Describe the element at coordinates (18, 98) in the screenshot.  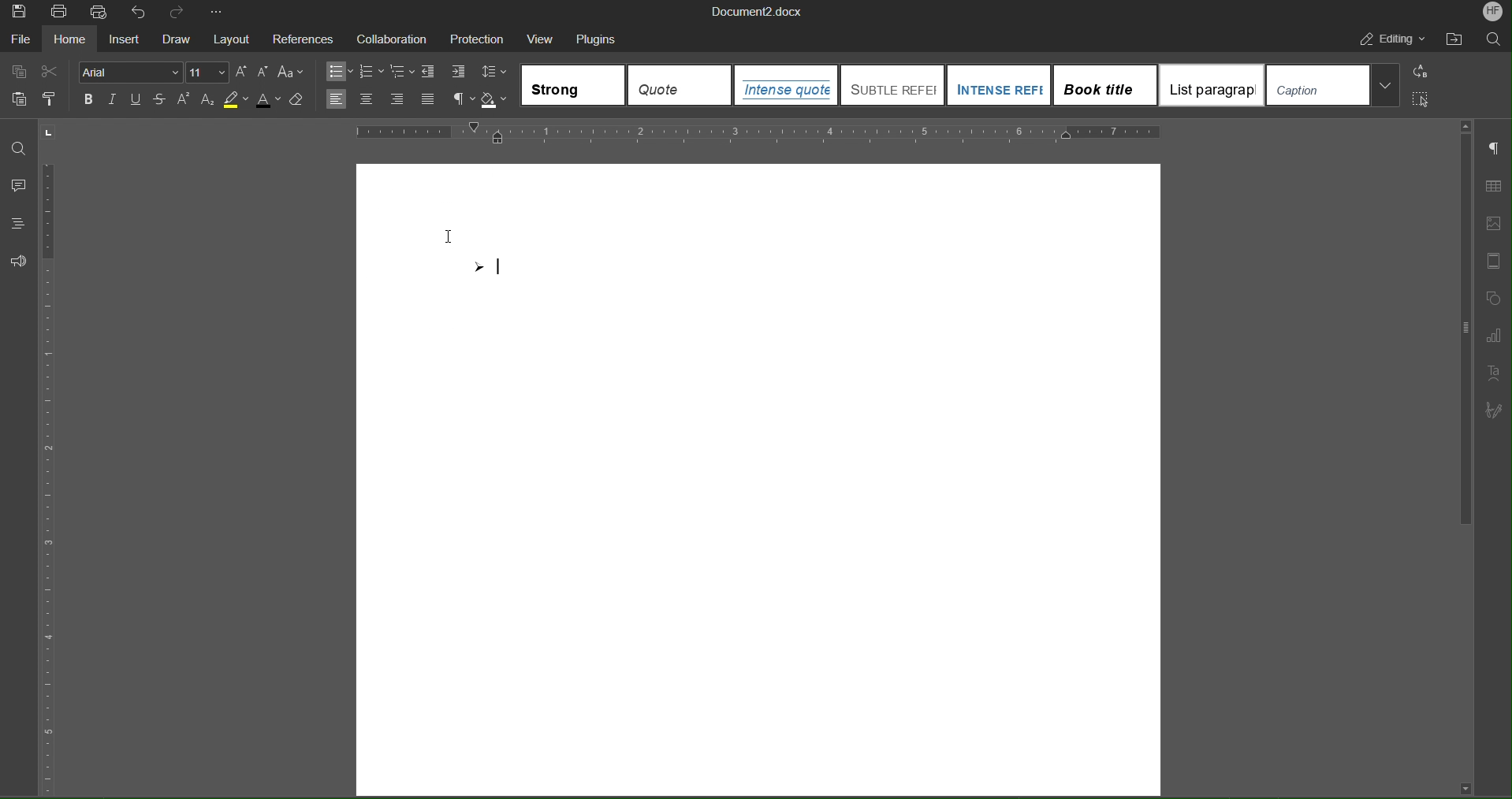
I see `Paste` at that location.